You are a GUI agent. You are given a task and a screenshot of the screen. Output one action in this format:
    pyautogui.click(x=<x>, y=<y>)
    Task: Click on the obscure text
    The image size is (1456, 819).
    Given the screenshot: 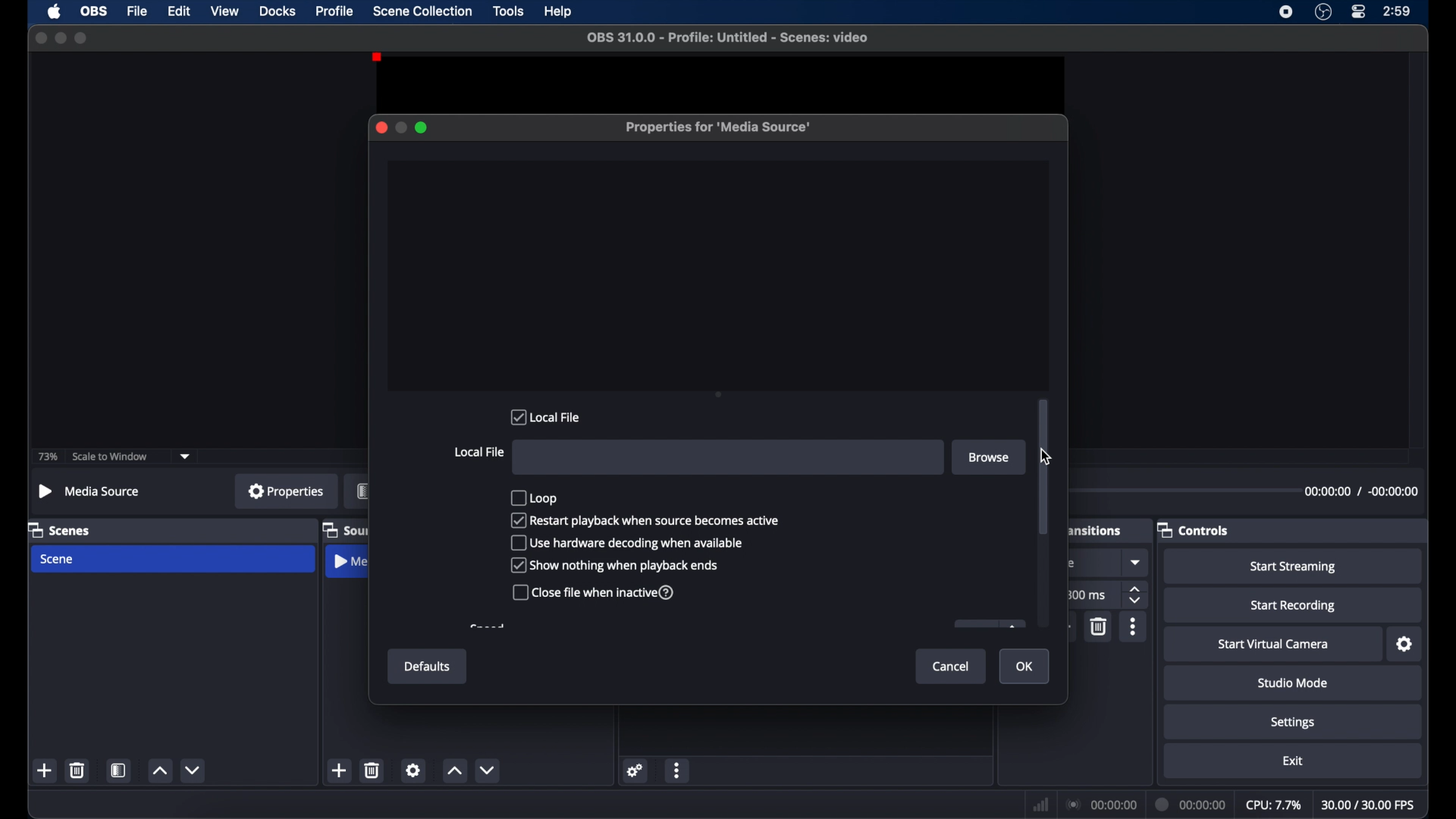 What is the action you would take?
    pyautogui.click(x=1069, y=563)
    